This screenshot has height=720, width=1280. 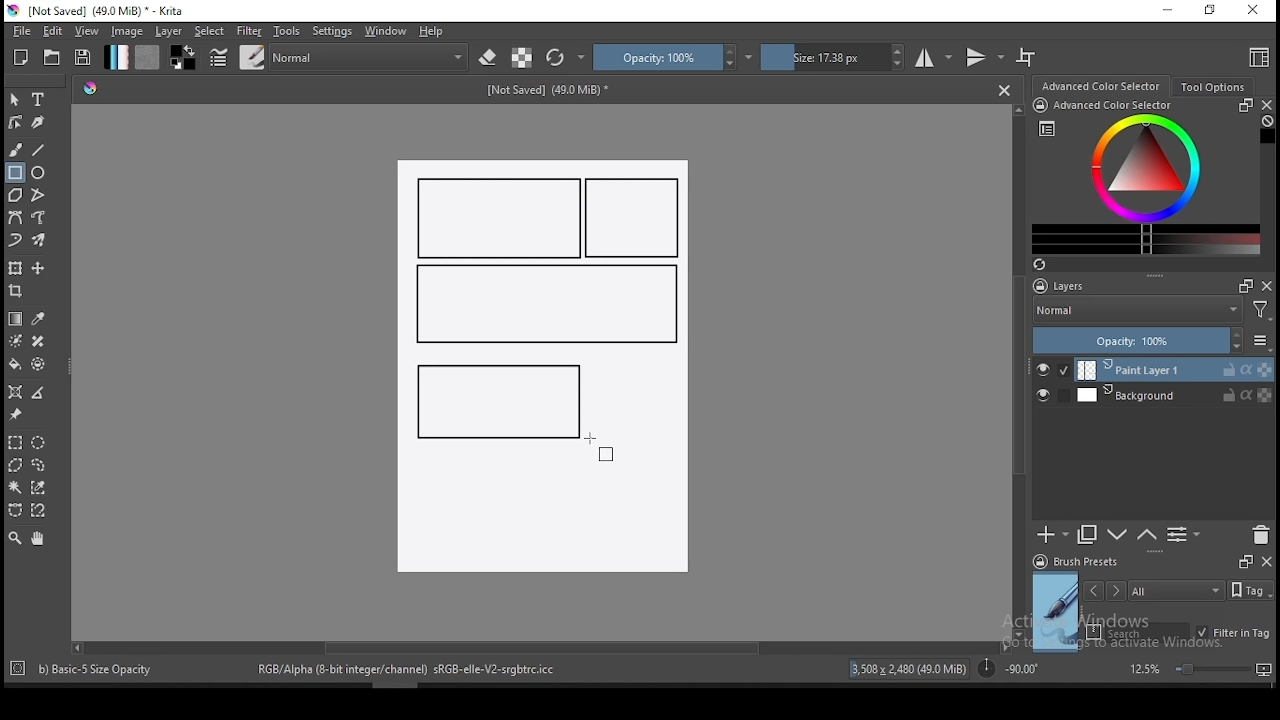 What do you see at coordinates (116, 57) in the screenshot?
I see `gradient fill` at bounding box center [116, 57].